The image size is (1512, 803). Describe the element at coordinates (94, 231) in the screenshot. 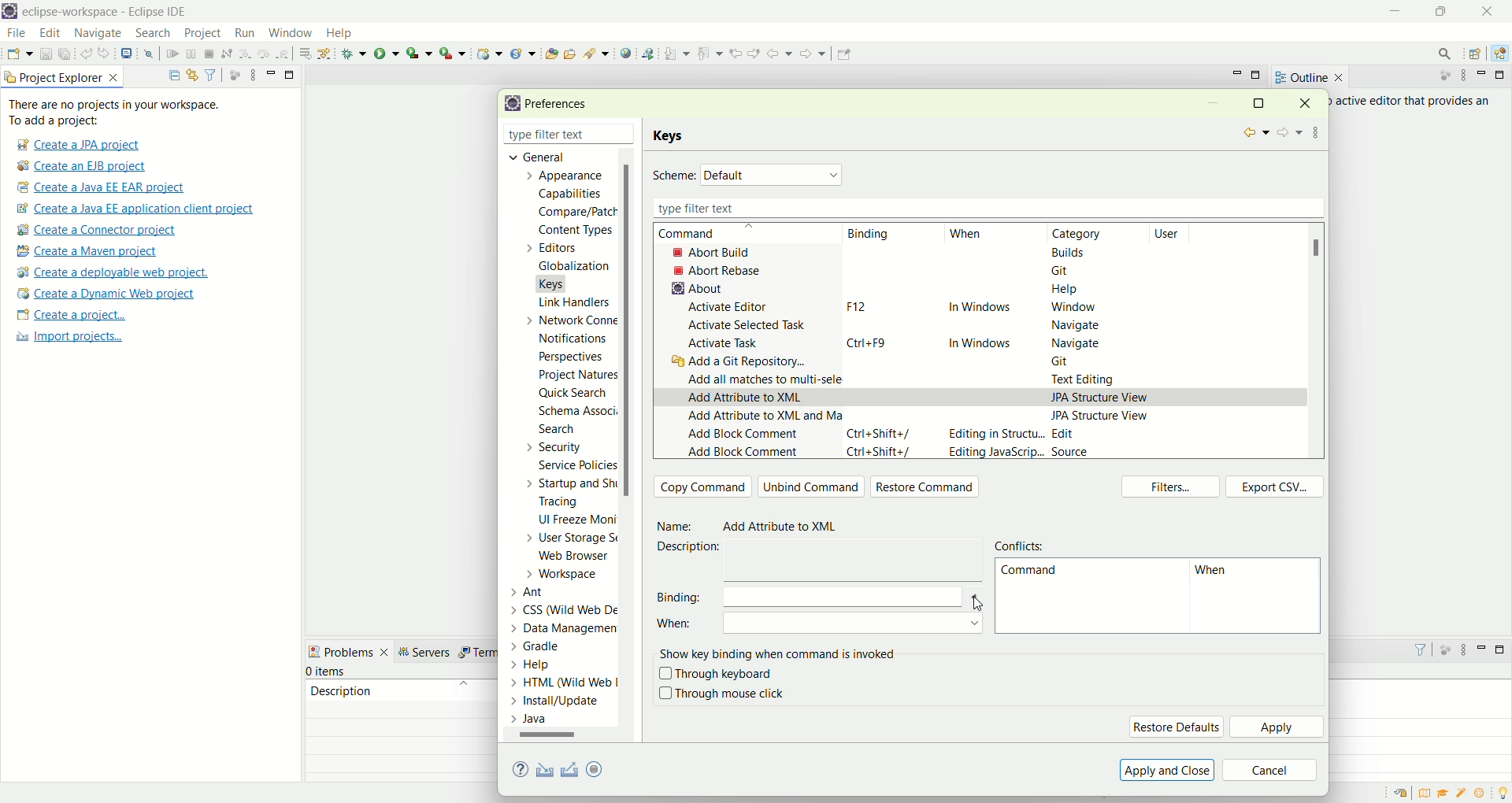

I see `create a connector project` at that location.